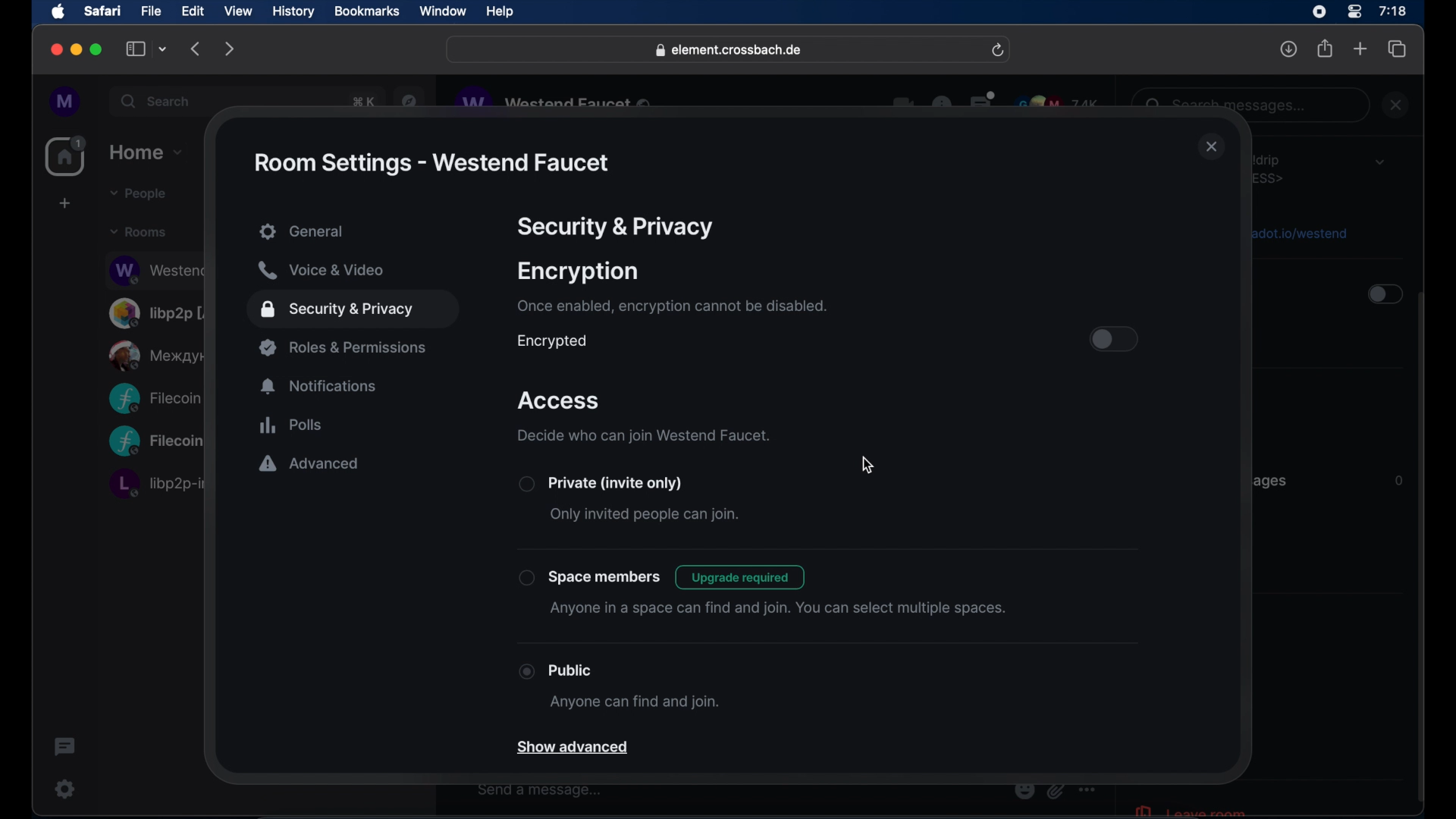  I want to click on close, so click(55, 50).